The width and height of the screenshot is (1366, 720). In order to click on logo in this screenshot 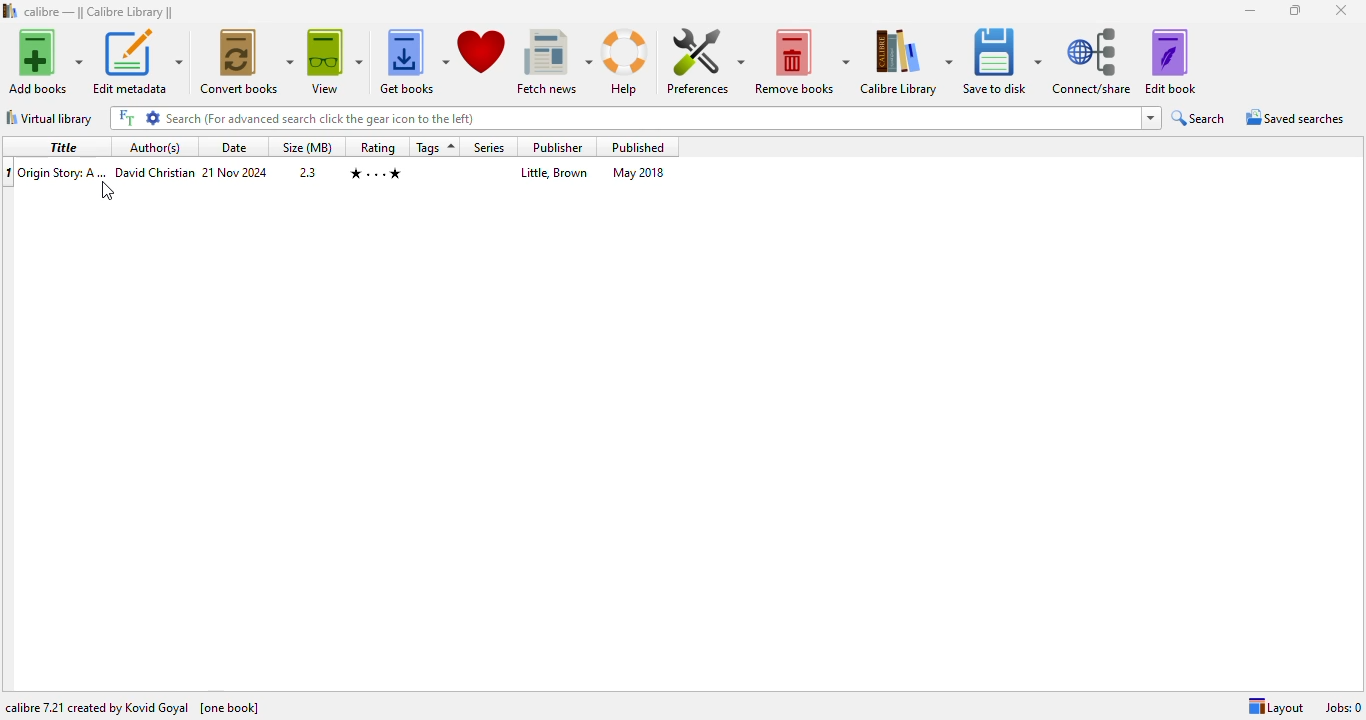, I will do `click(10, 11)`.